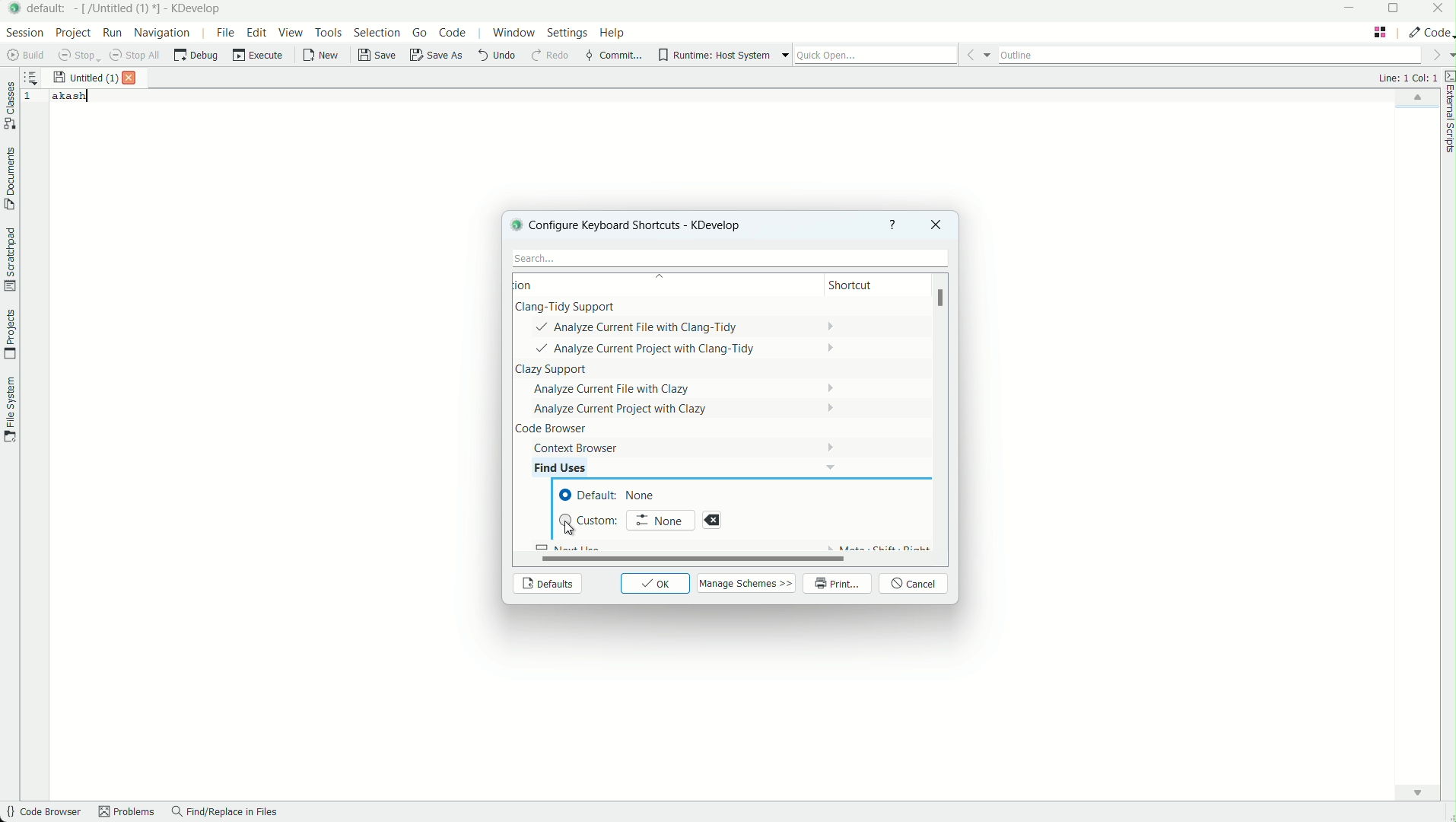 The height and width of the screenshot is (822, 1456). I want to click on file name, so click(85, 78).